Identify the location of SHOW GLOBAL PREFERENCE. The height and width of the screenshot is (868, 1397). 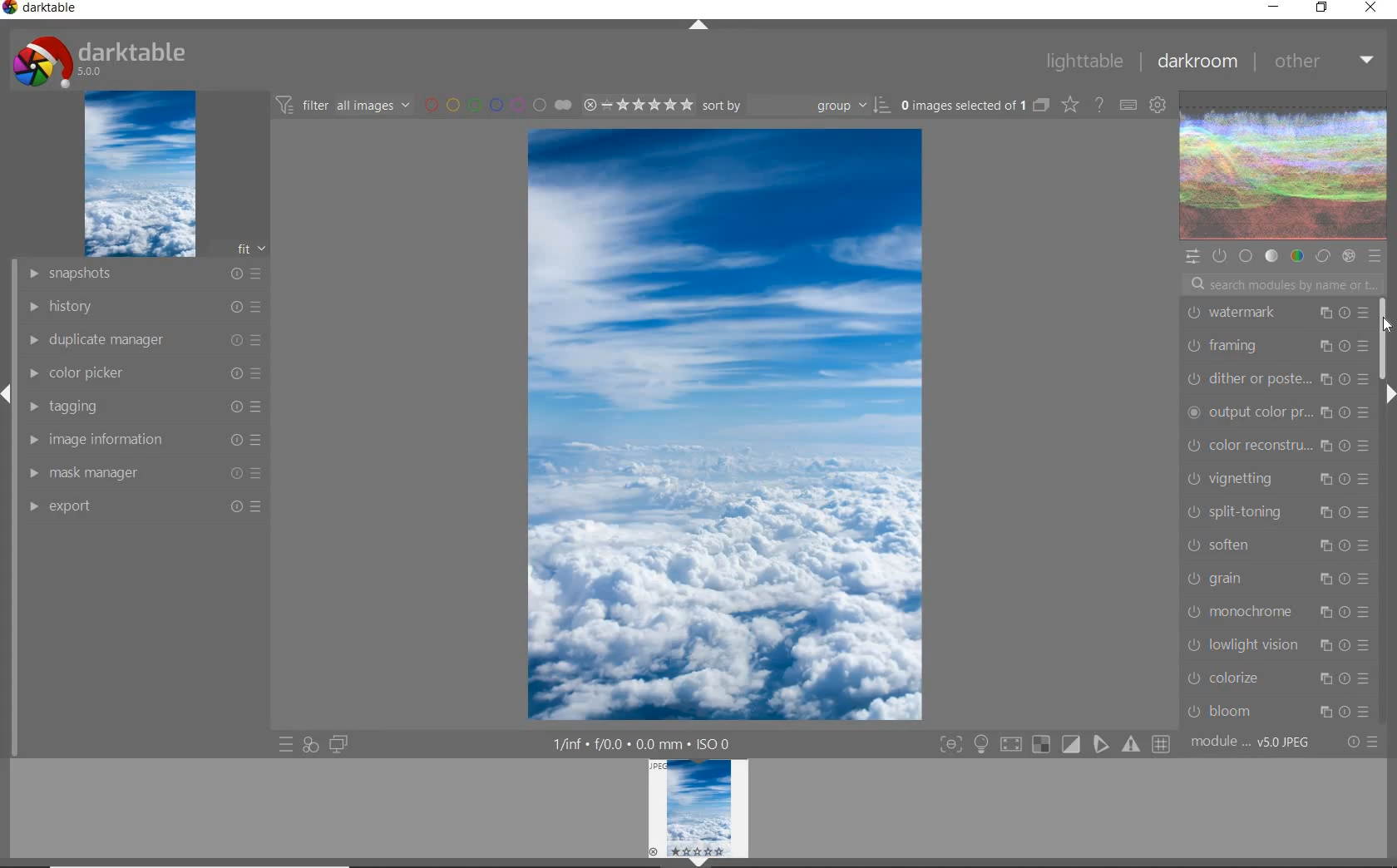
(1157, 106).